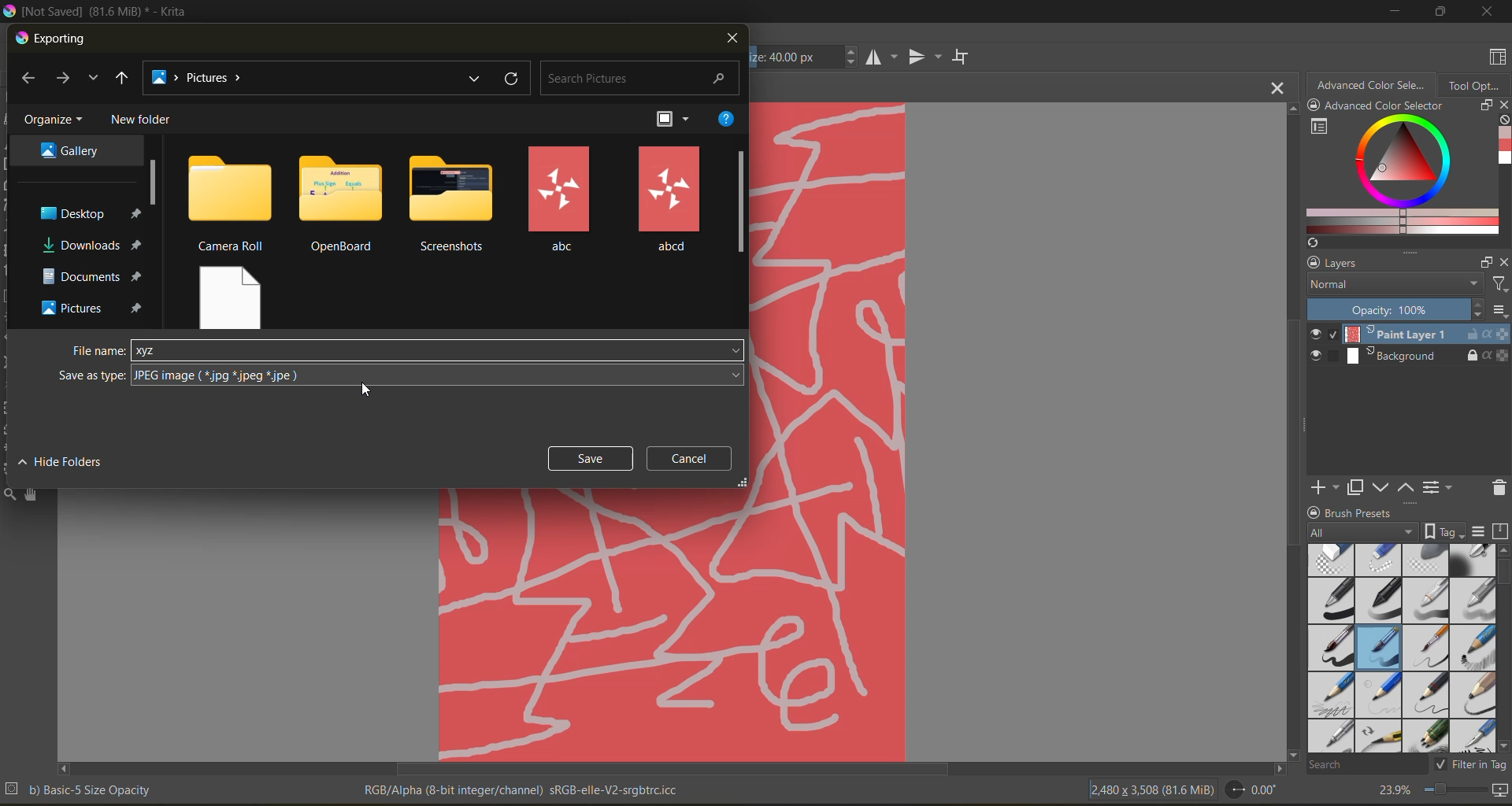  What do you see at coordinates (1363, 533) in the screenshot?
I see `tag` at bounding box center [1363, 533].